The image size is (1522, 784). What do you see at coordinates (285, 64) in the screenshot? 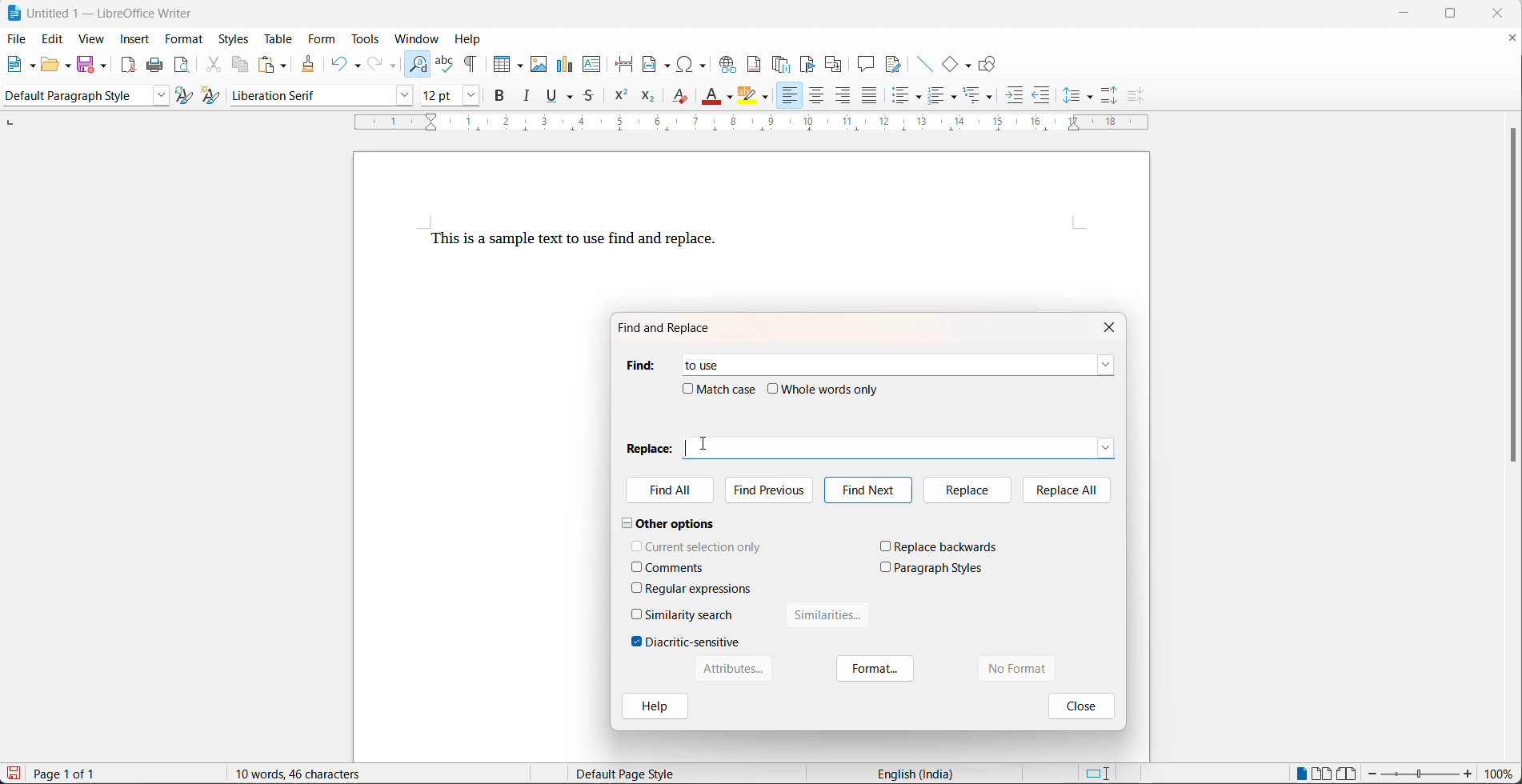
I see `paste options` at bounding box center [285, 64].